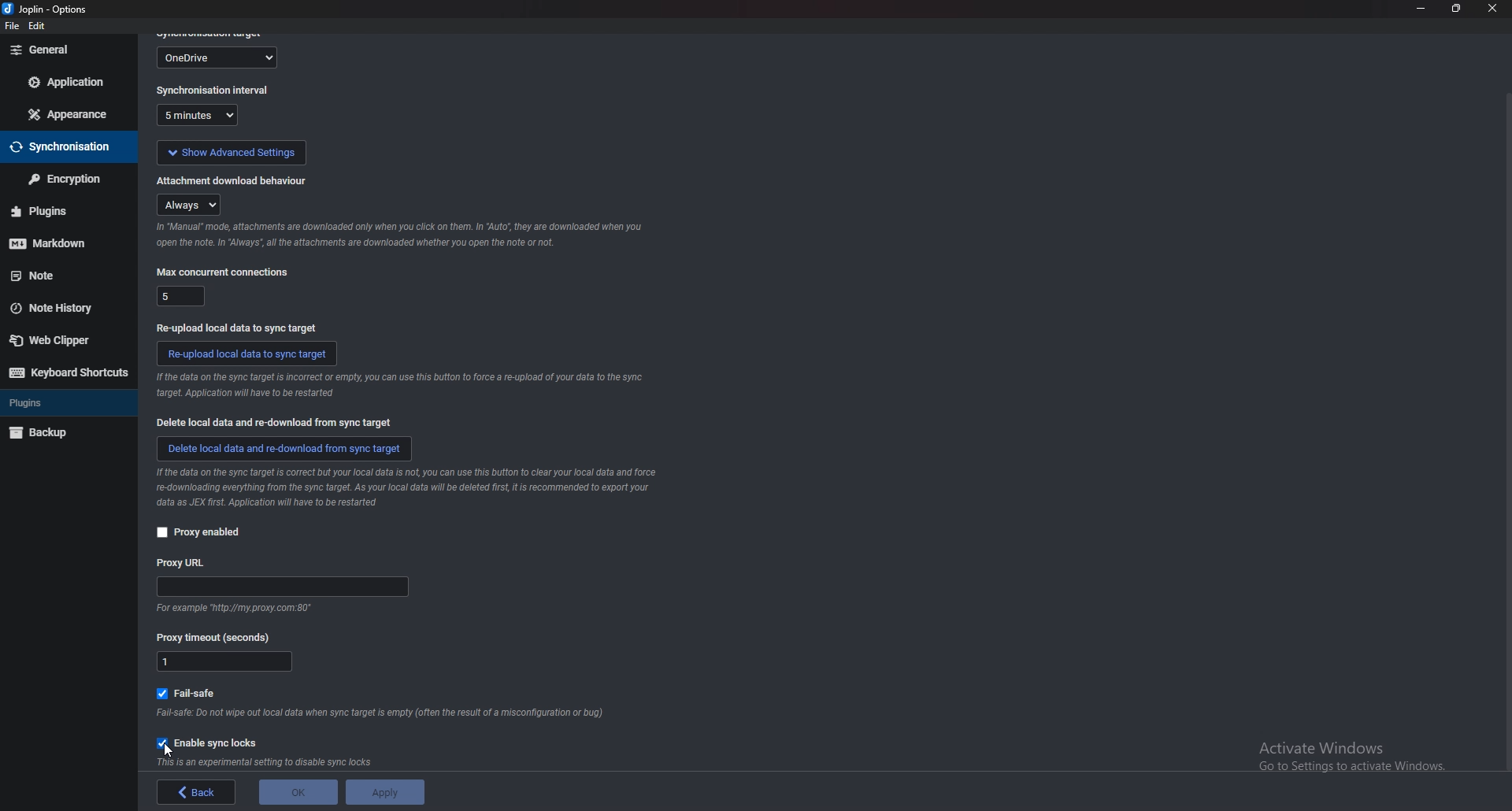  Describe the element at coordinates (68, 373) in the screenshot. I see `keyboard shortcuts` at that location.